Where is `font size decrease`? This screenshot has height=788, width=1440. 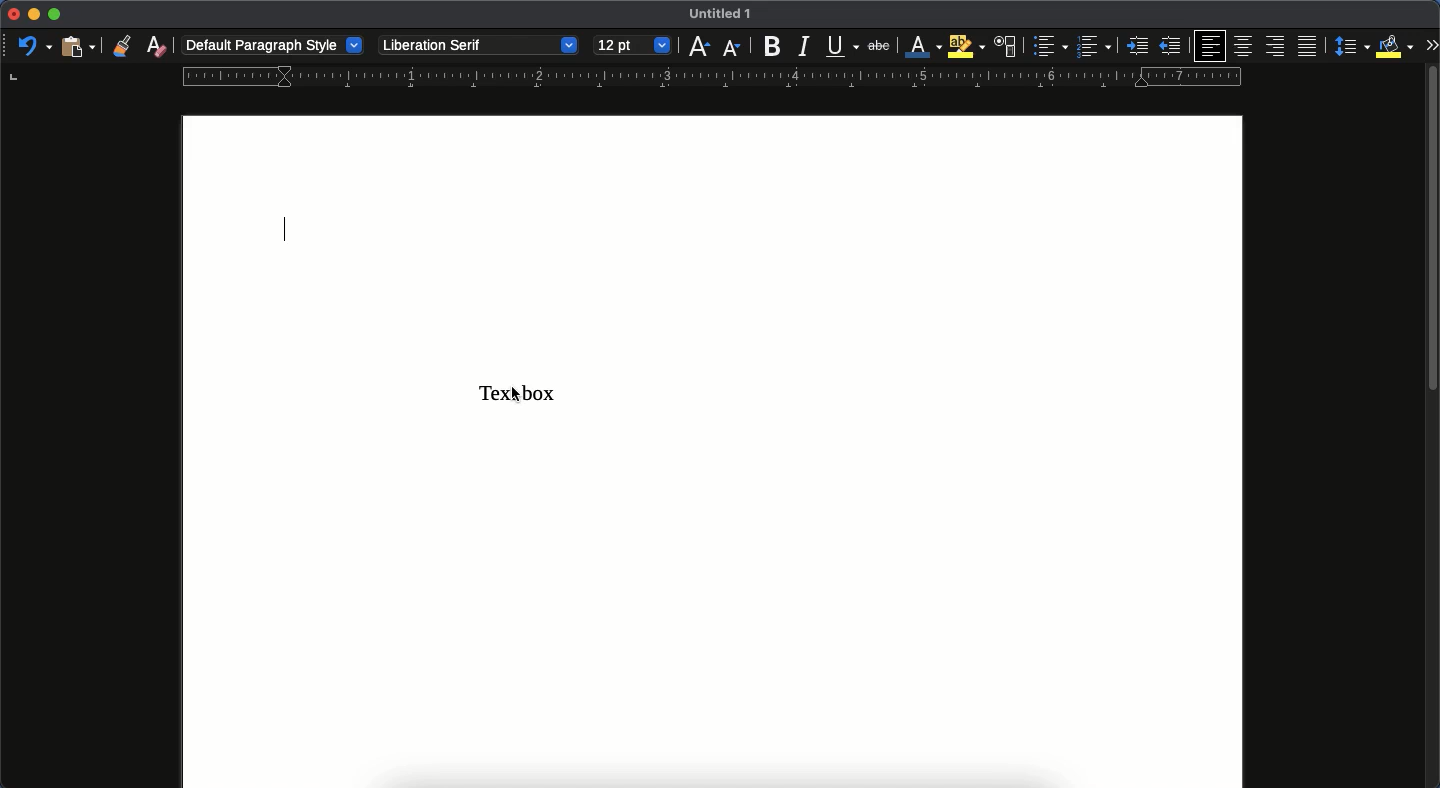 font size decrease is located at coordinates (733, 49).